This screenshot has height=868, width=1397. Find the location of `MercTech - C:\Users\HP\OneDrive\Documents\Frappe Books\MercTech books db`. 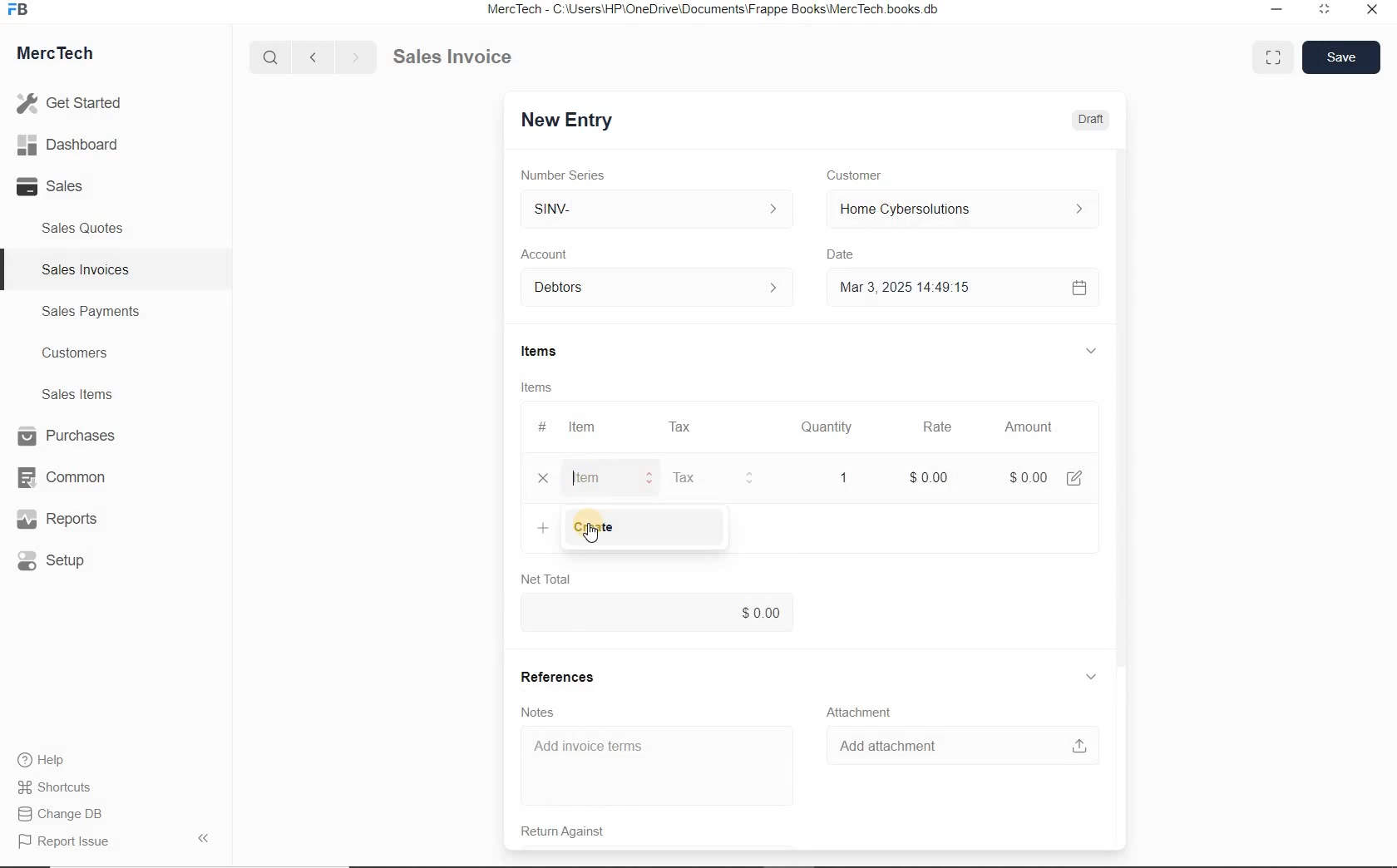

MercTech - C:\Users\HP\OneDrive\Documents\Frappe Books\MercTech books db is located at coordinates (715, 10).